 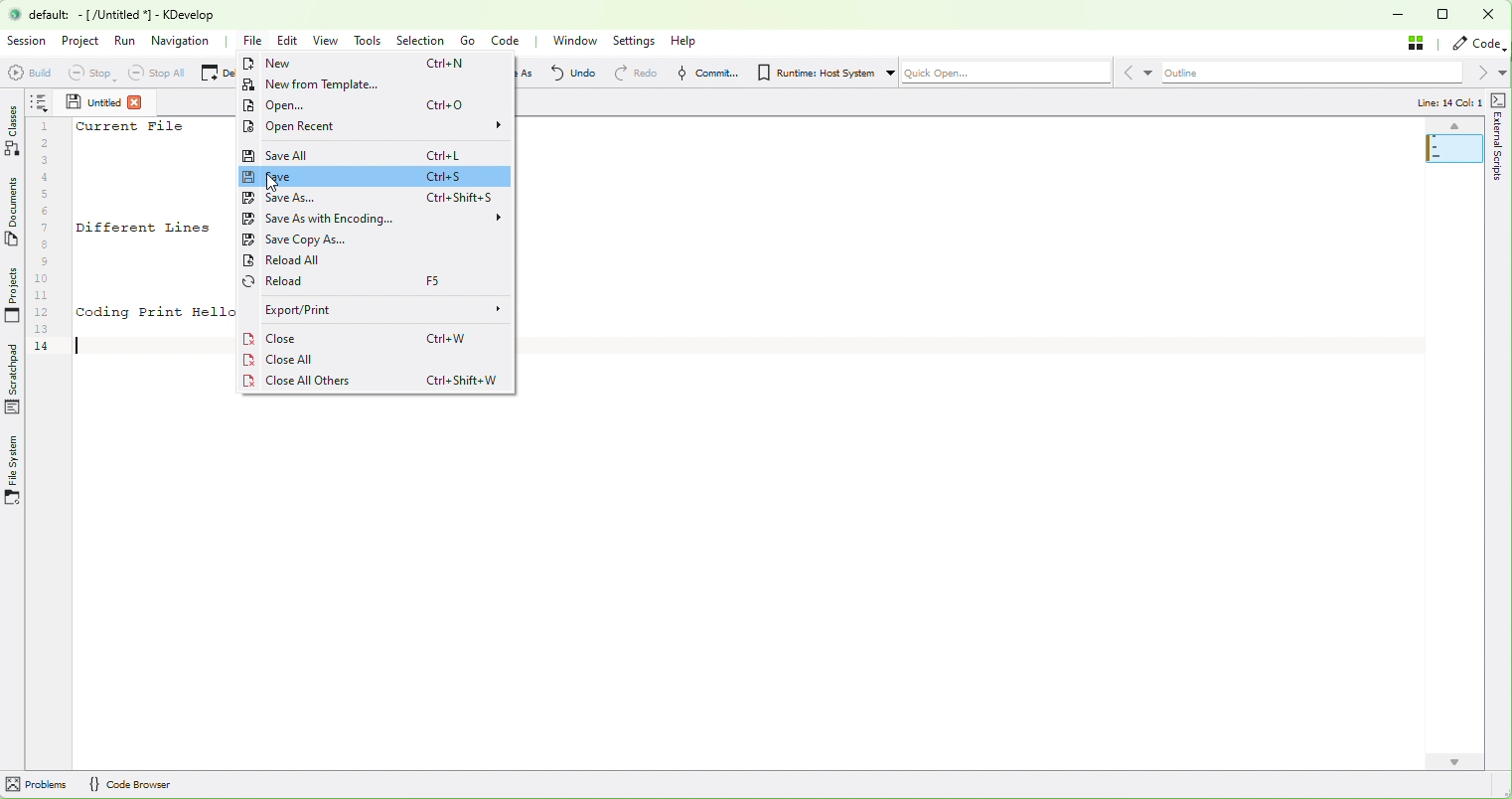 What do you see at coordinates (312, 153) in the screenshot?
I see `Save all ` at bounding box center [312, 153].